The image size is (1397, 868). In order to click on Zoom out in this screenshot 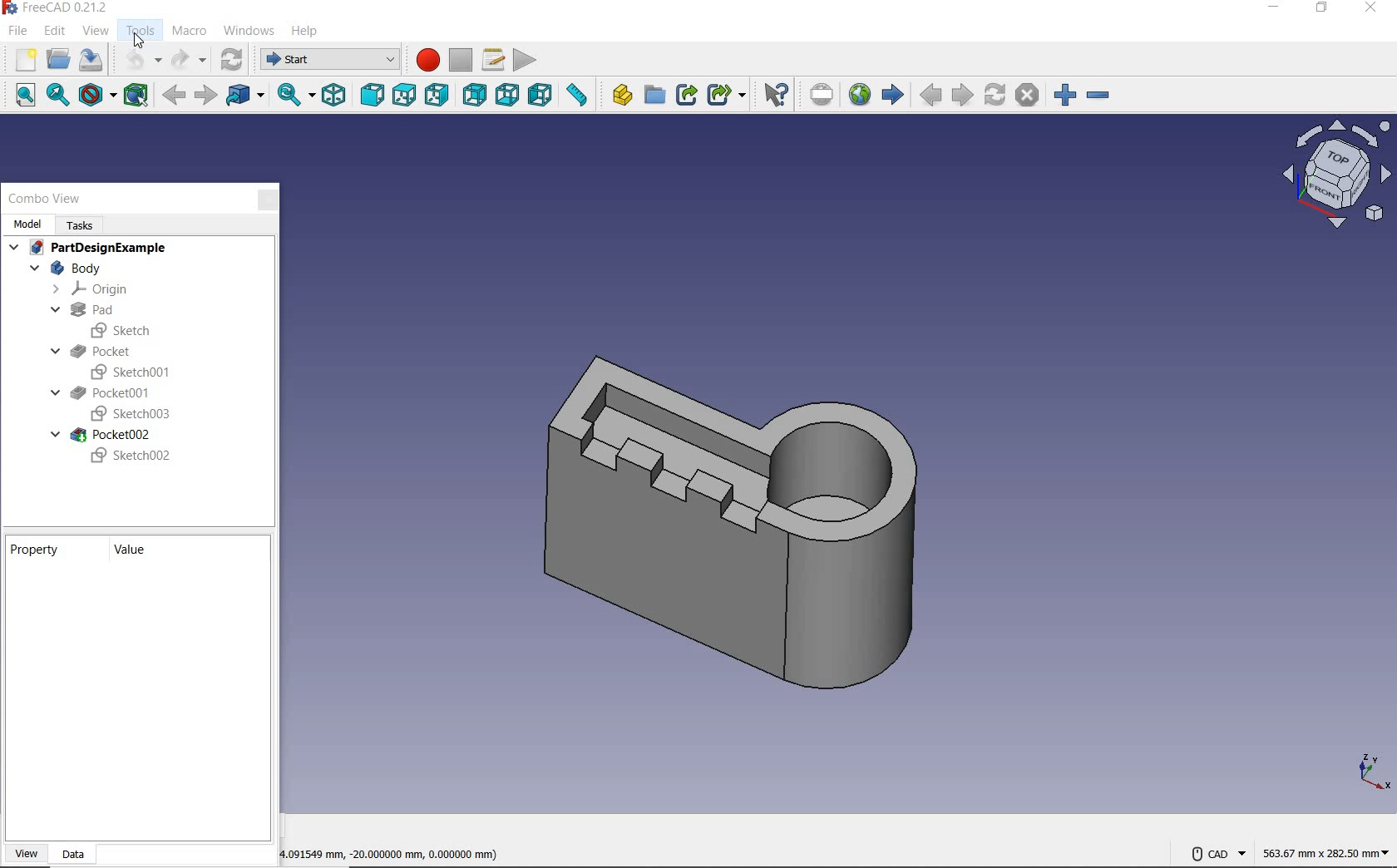, I will do `click(1108, 93)`.